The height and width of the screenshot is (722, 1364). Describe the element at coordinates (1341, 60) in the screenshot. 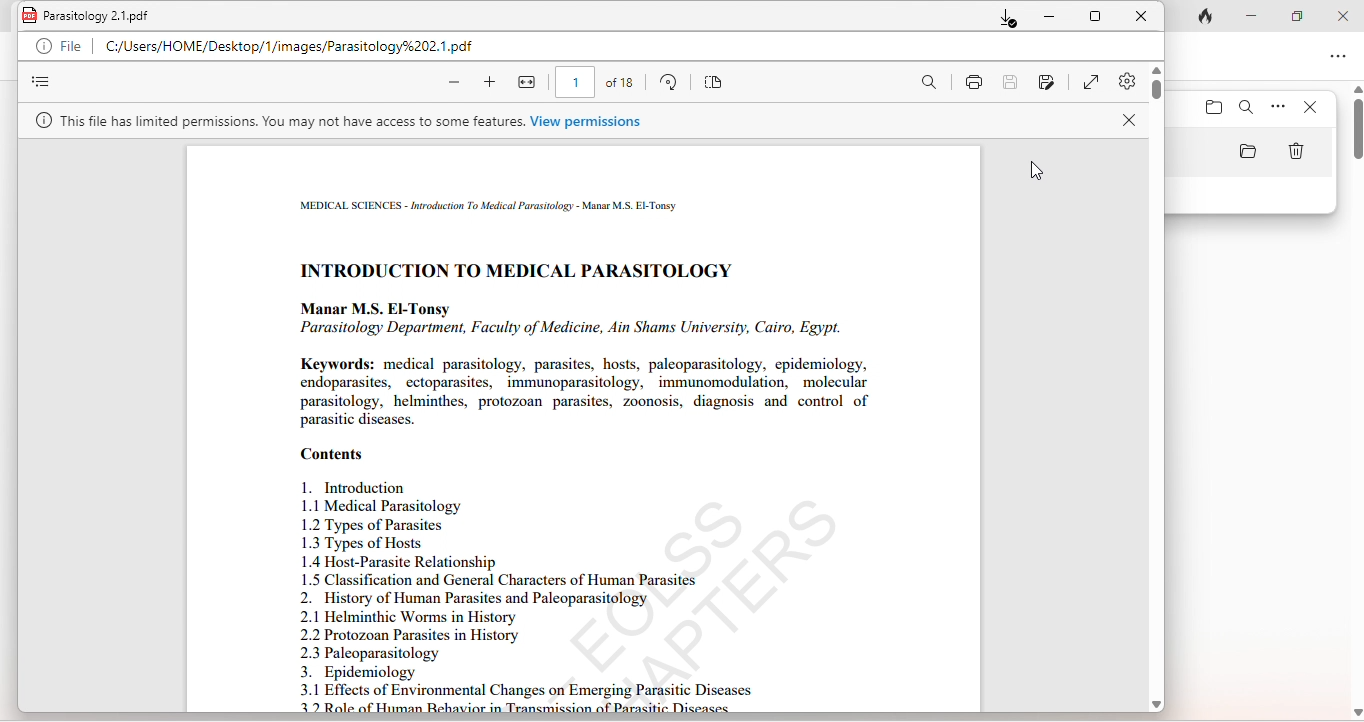

I see `option` at that location.